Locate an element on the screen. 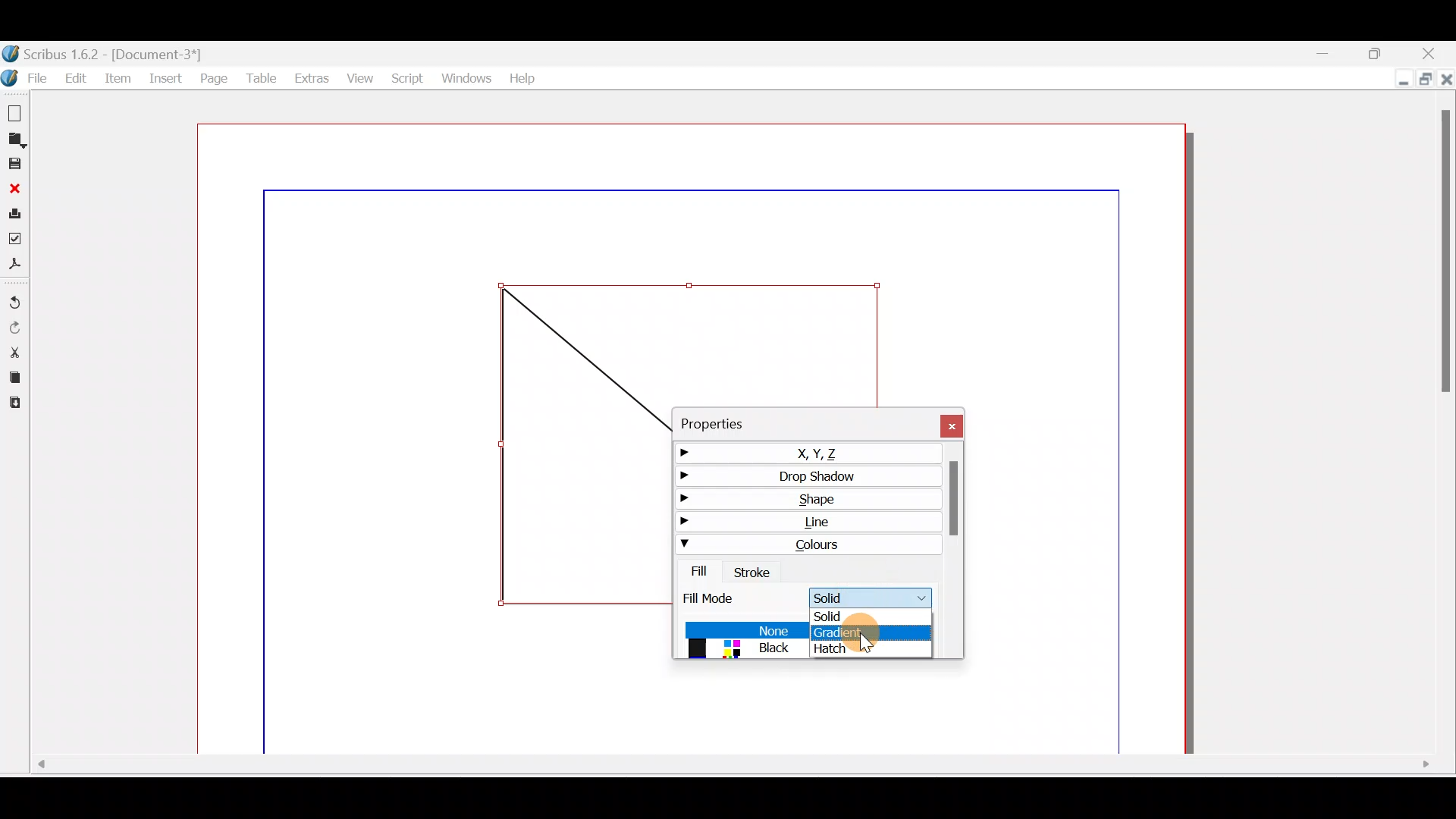 This screenshot has width=1456, height=819. Save is located at coordinates (14, 163).